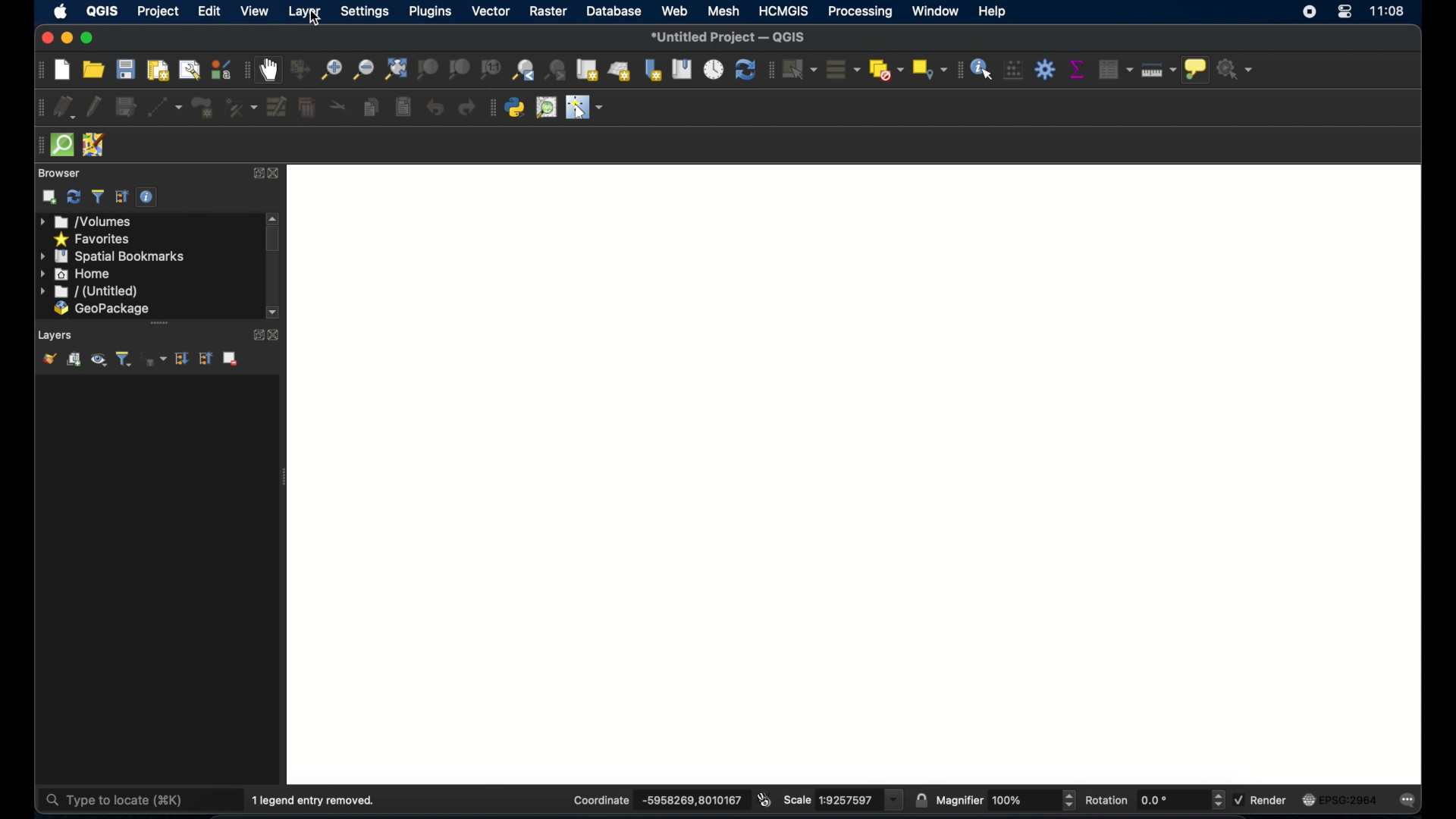 This screenshot has width=1456, height=819. Describe the element at coordinates (466, 108) in the screenshot. I see `redo` at that location.